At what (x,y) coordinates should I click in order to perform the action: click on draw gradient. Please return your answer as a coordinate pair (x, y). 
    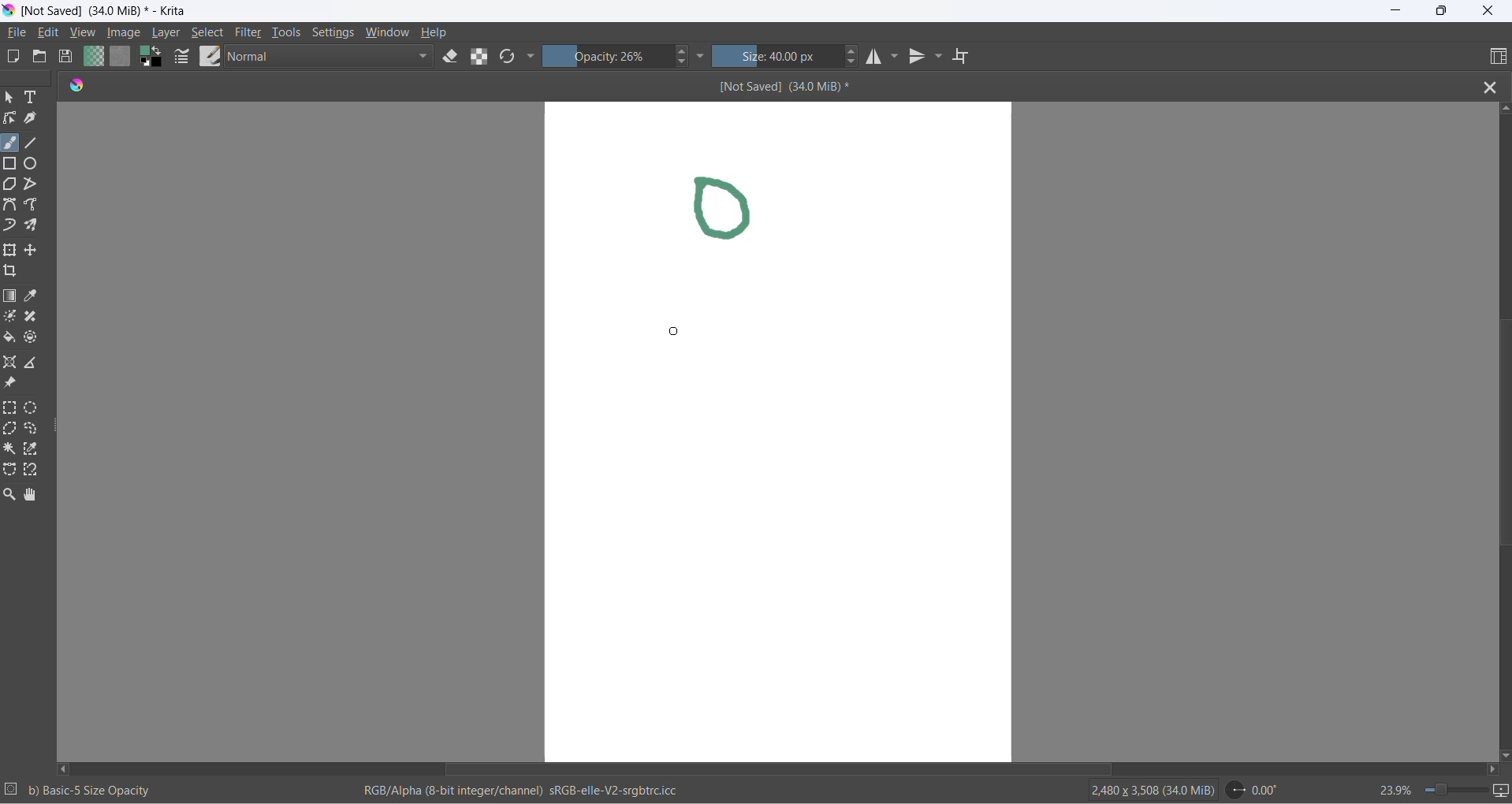
    Looking at the image, I should click on (11, 297).